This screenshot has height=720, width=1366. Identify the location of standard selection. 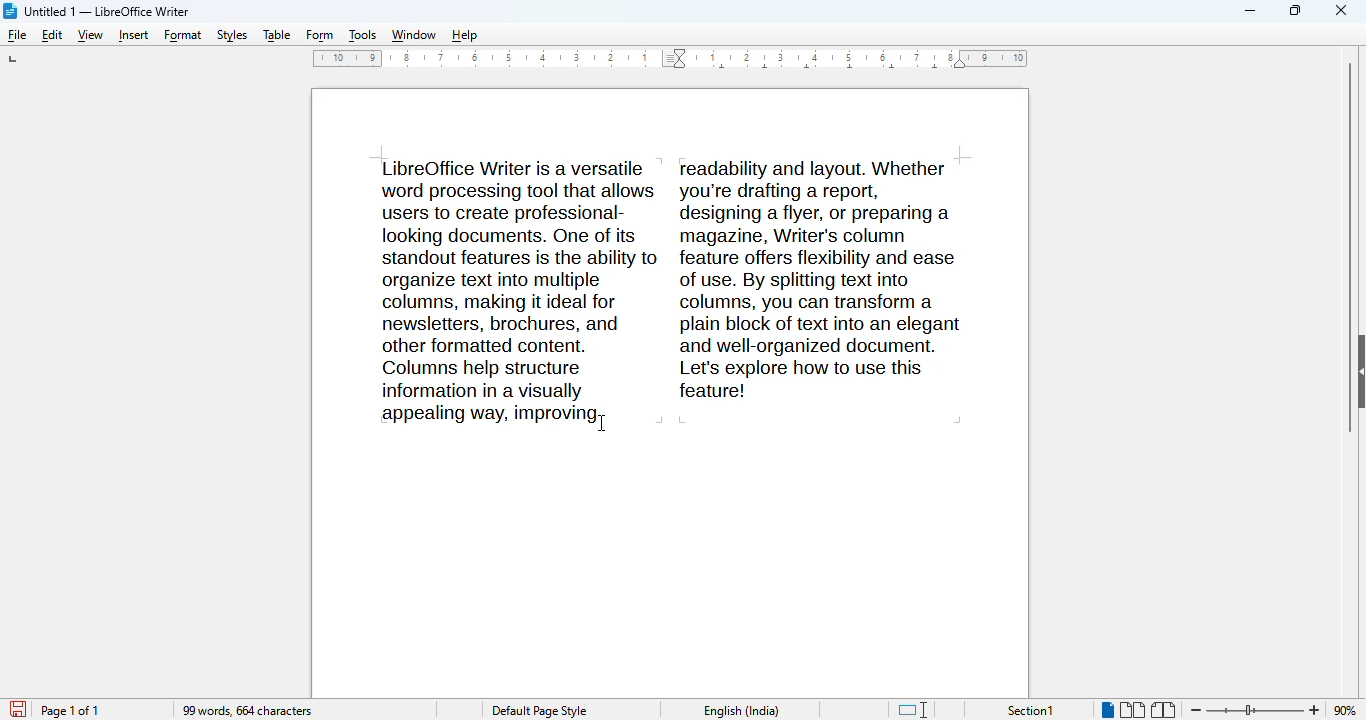
(912, 710).